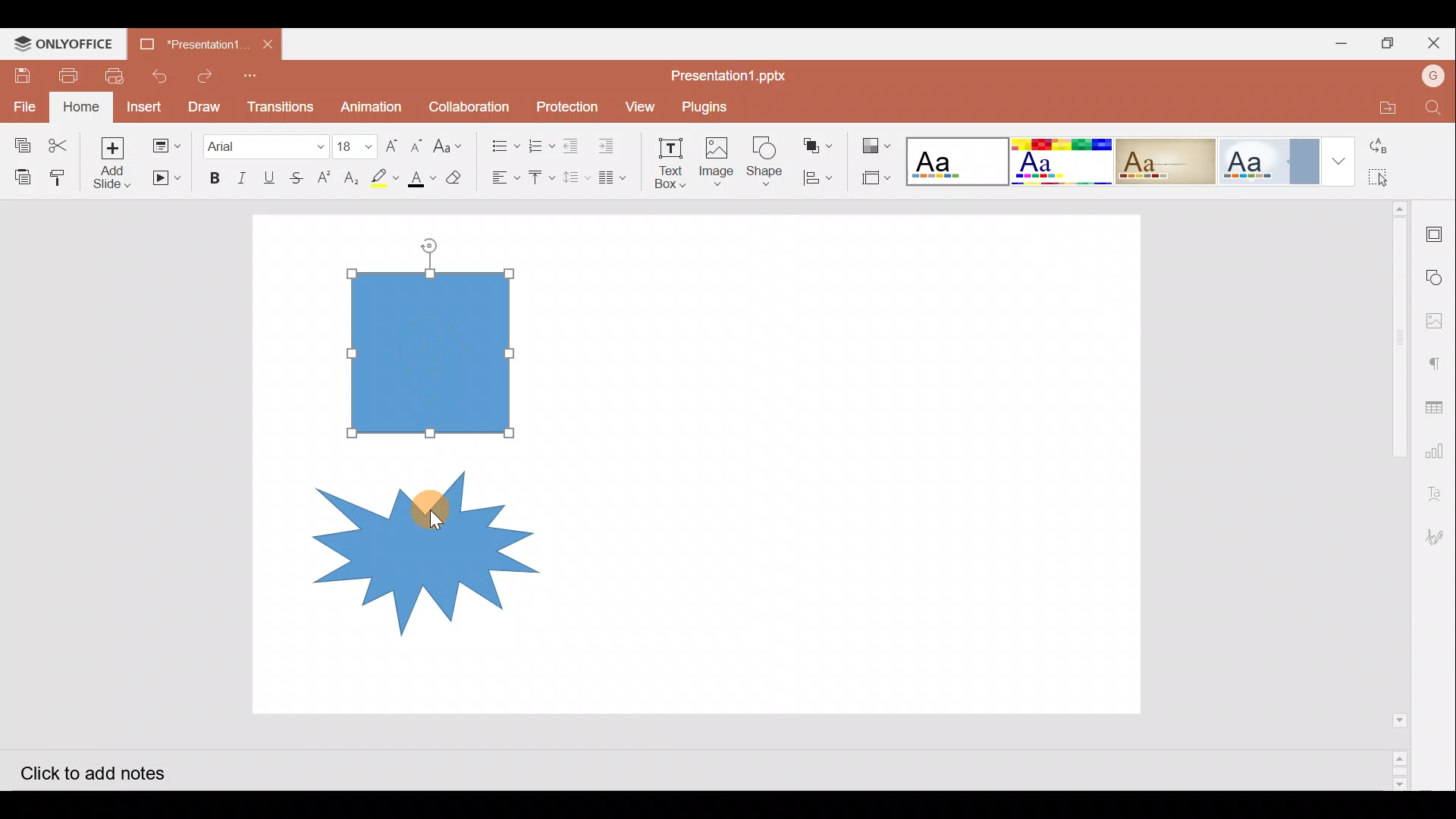  Describe the element at coordinates (878, 142) in the screenshot. I see `Change colour theme` at that location.